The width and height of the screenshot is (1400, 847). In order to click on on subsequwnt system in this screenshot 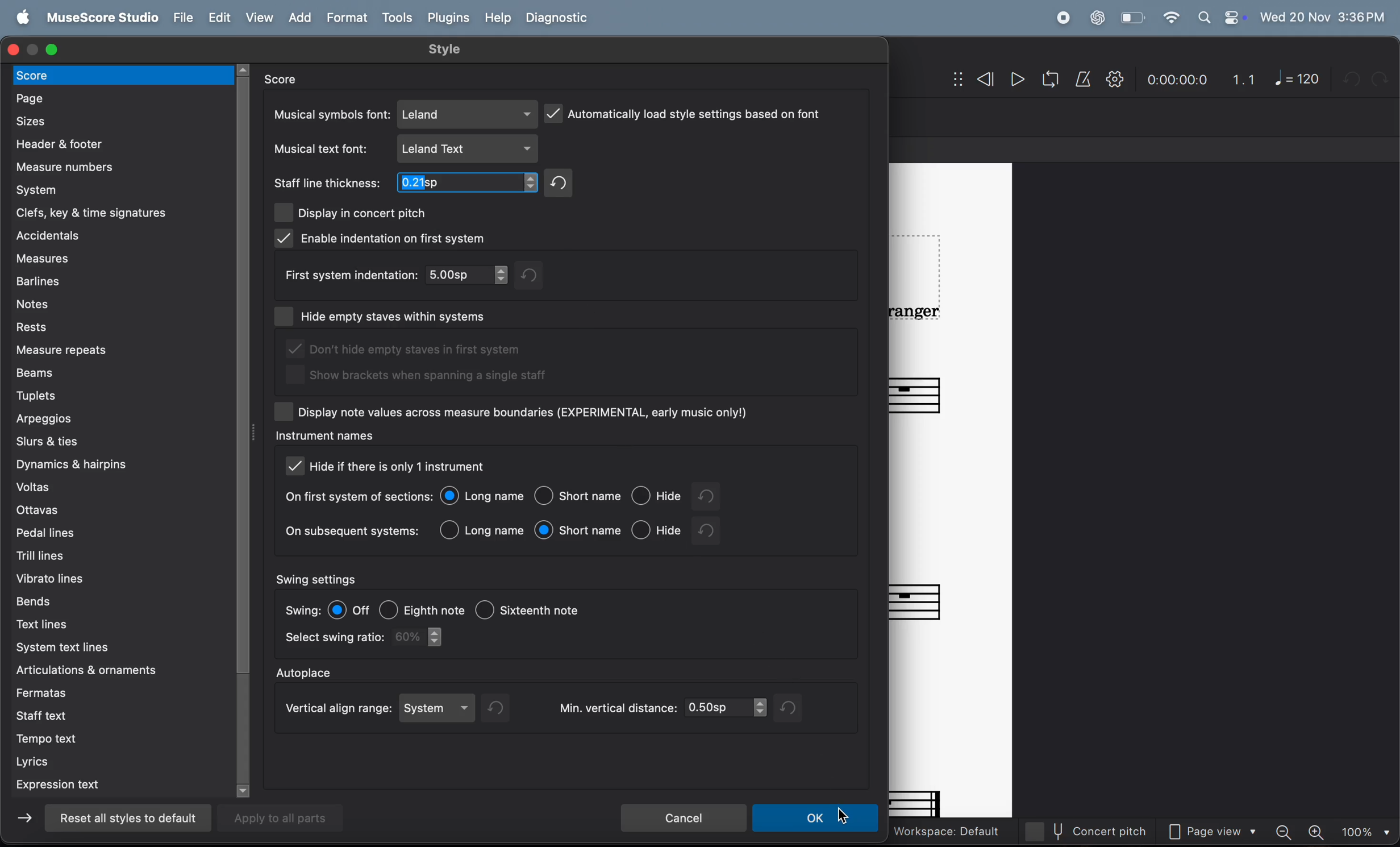, I will do `click(352, 533)`.